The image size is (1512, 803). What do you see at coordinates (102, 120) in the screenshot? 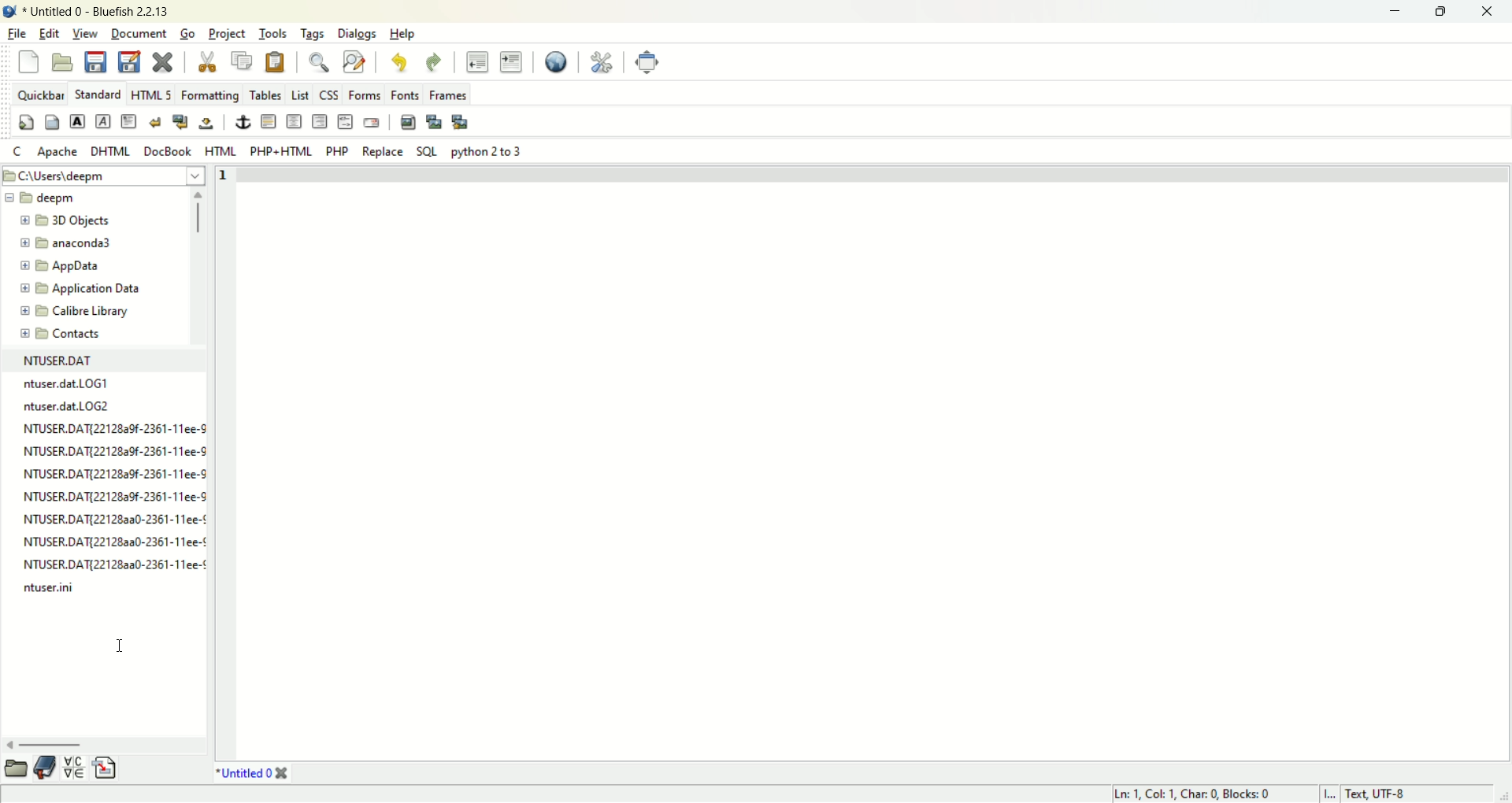
I see `emphasis` at bounding box center [102, 120].